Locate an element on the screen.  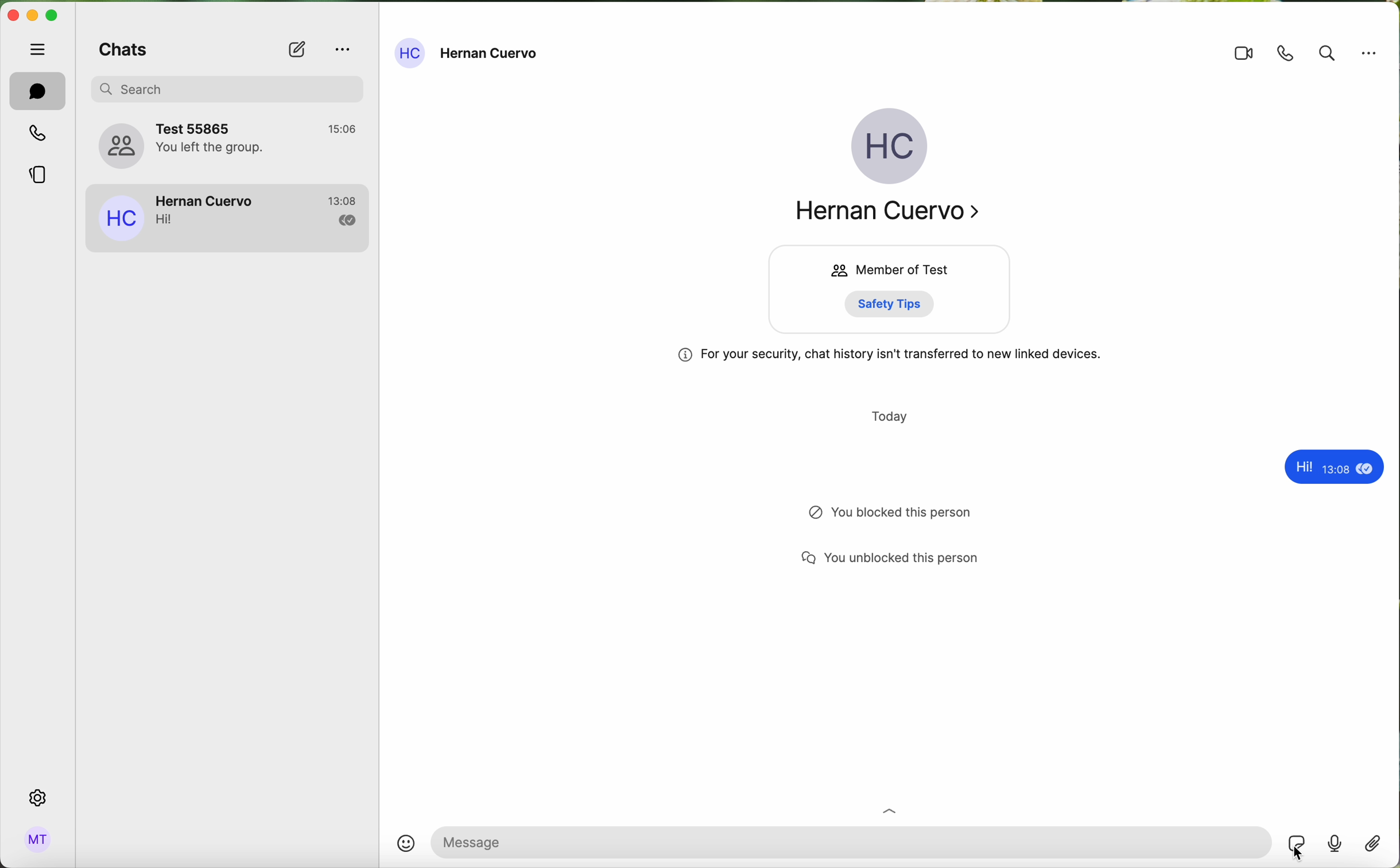
stories is located at coordinates (38, 178).